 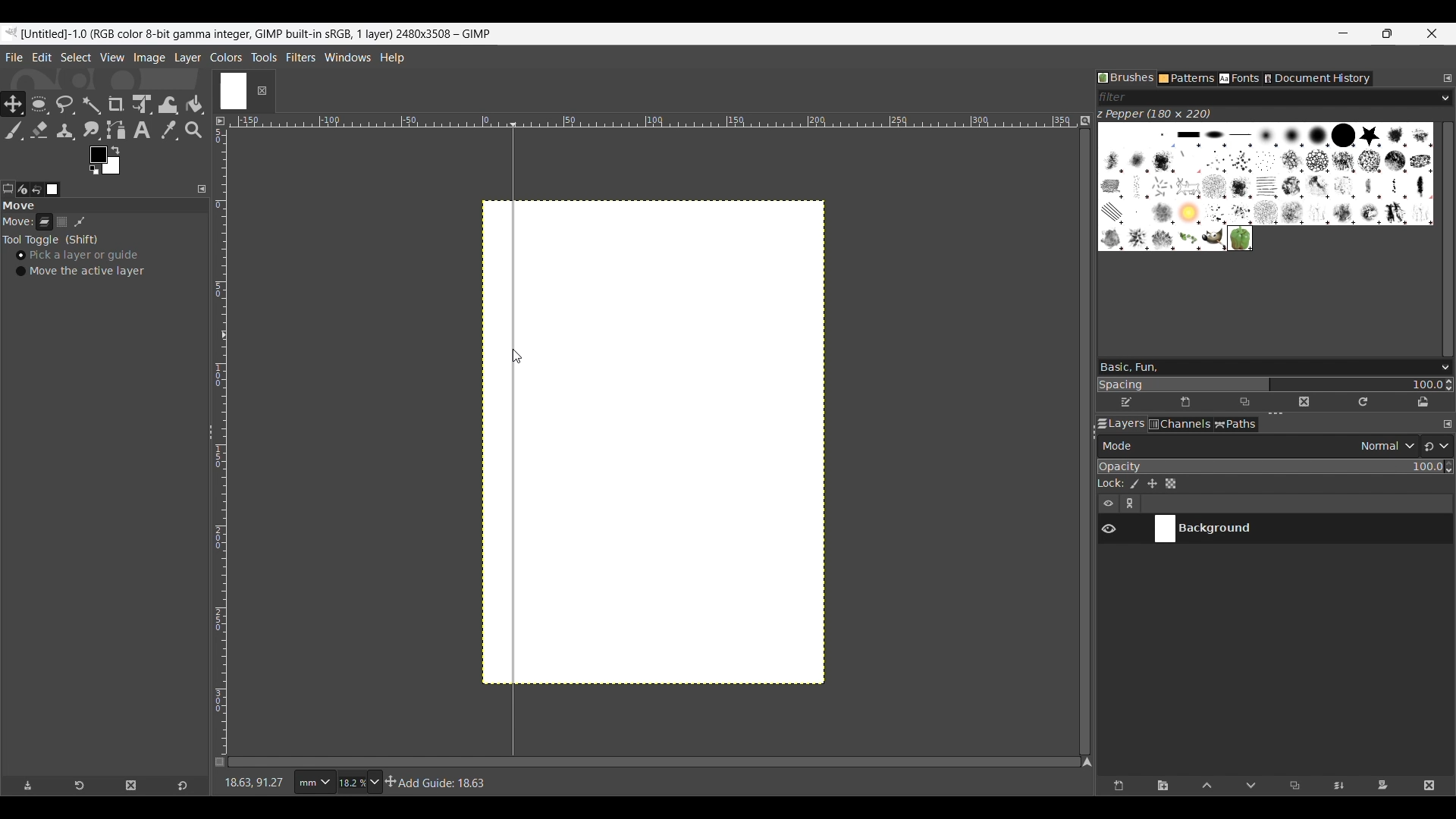 I want to click on Lock position and size, so click(x=1152, y=484).